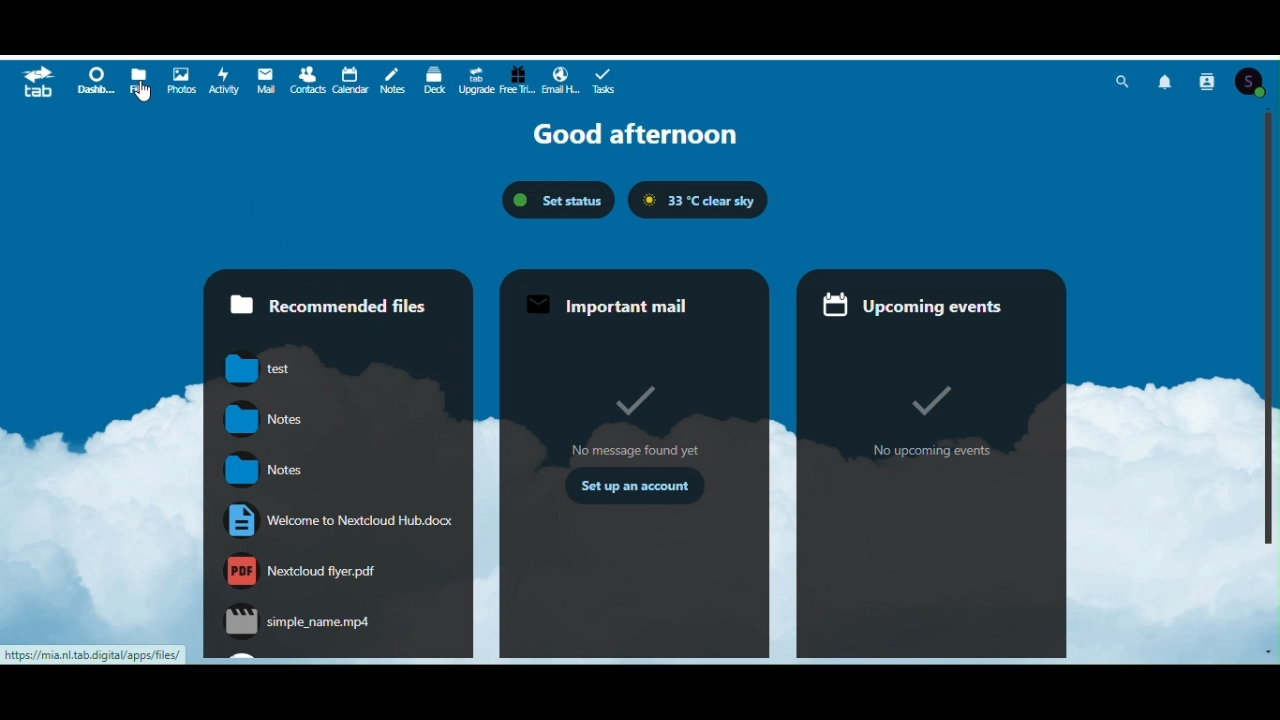  Describe the element at coordinates (1170, 80) in the screenshot. I see `Notifications` at that location.